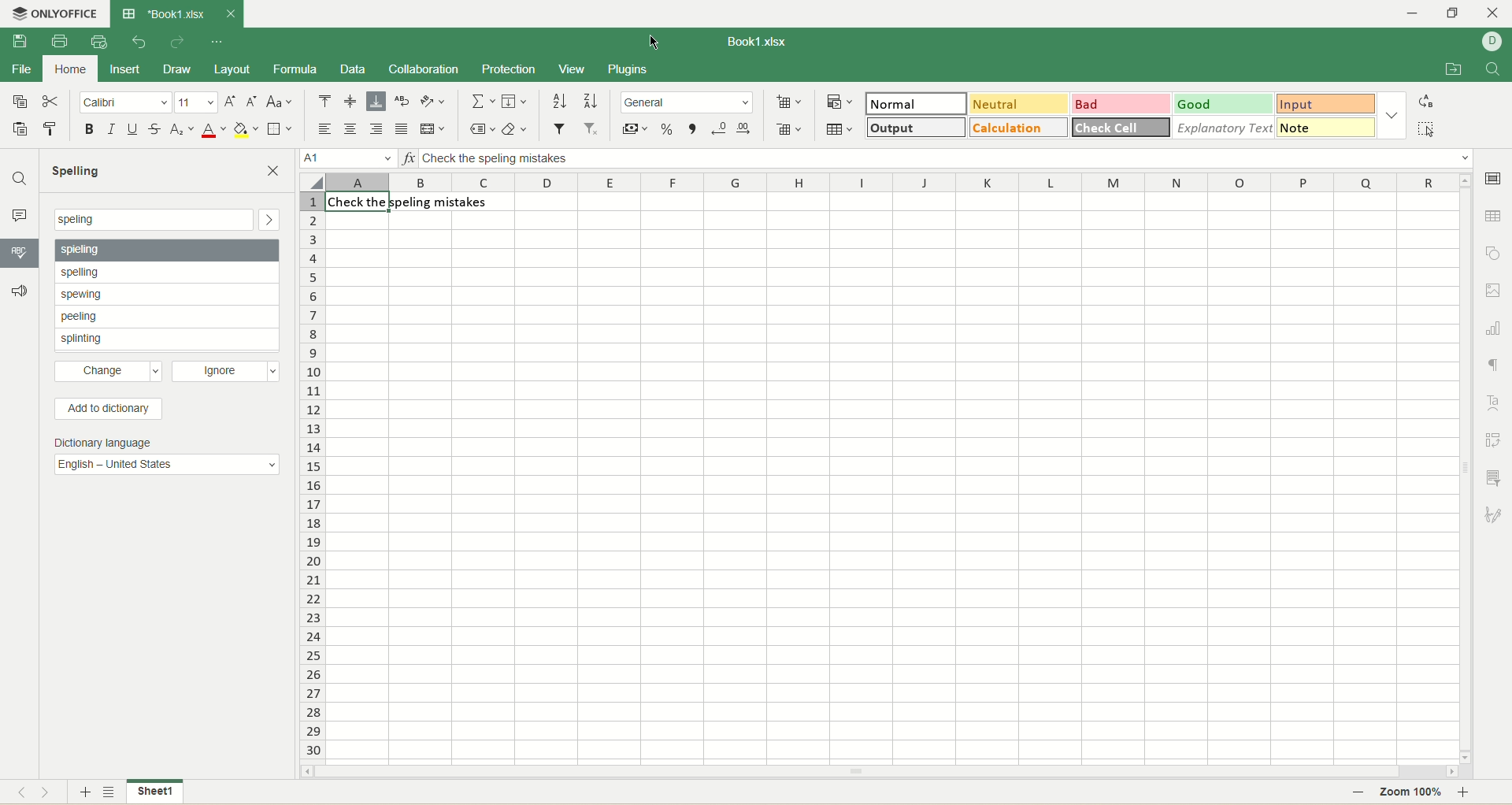  Describe the element at coordinates (891, 181) in the screenshot. I see `column name` at that location.